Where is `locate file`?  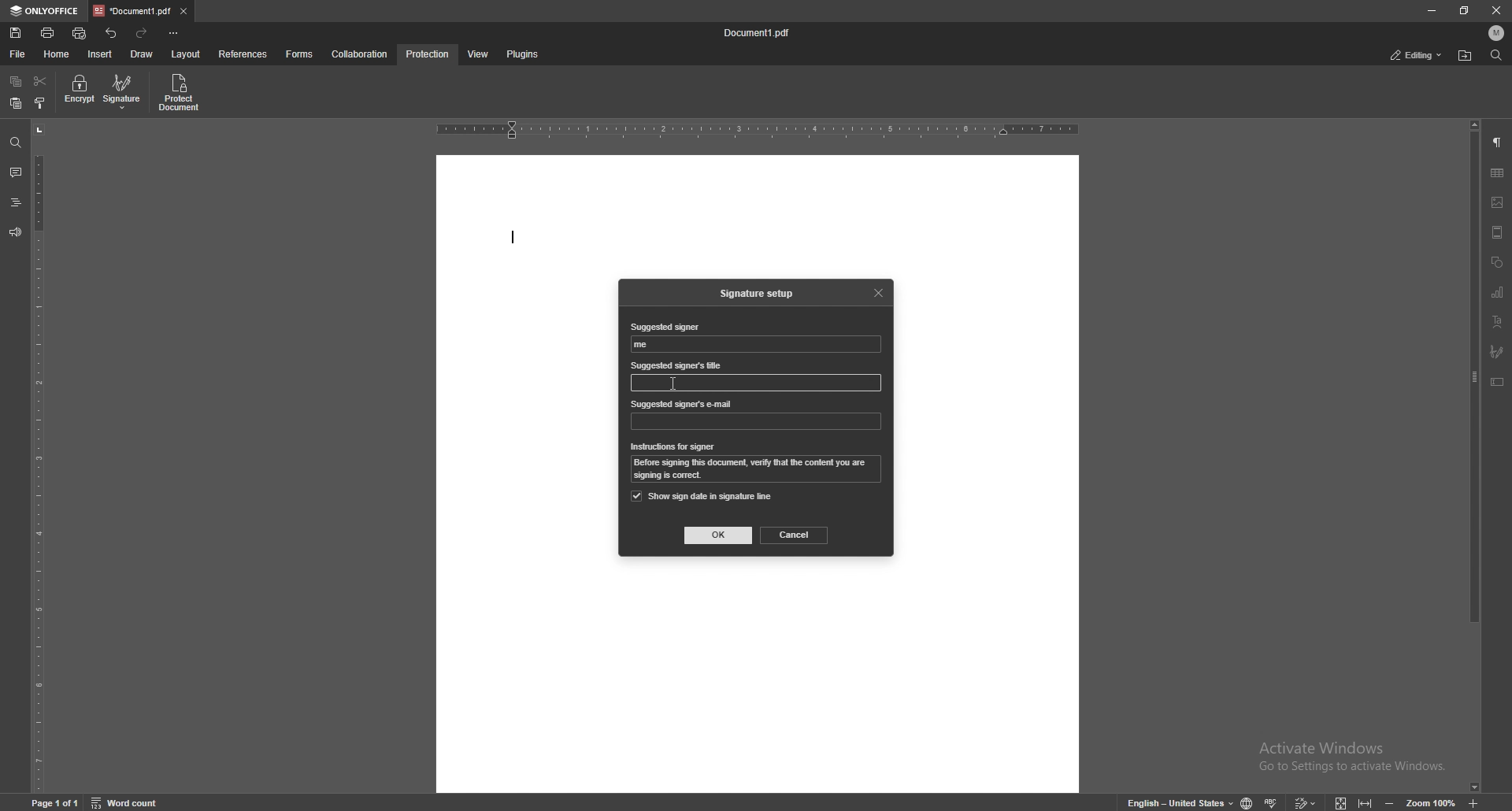 locate file is located at coordinates (1465, 57).